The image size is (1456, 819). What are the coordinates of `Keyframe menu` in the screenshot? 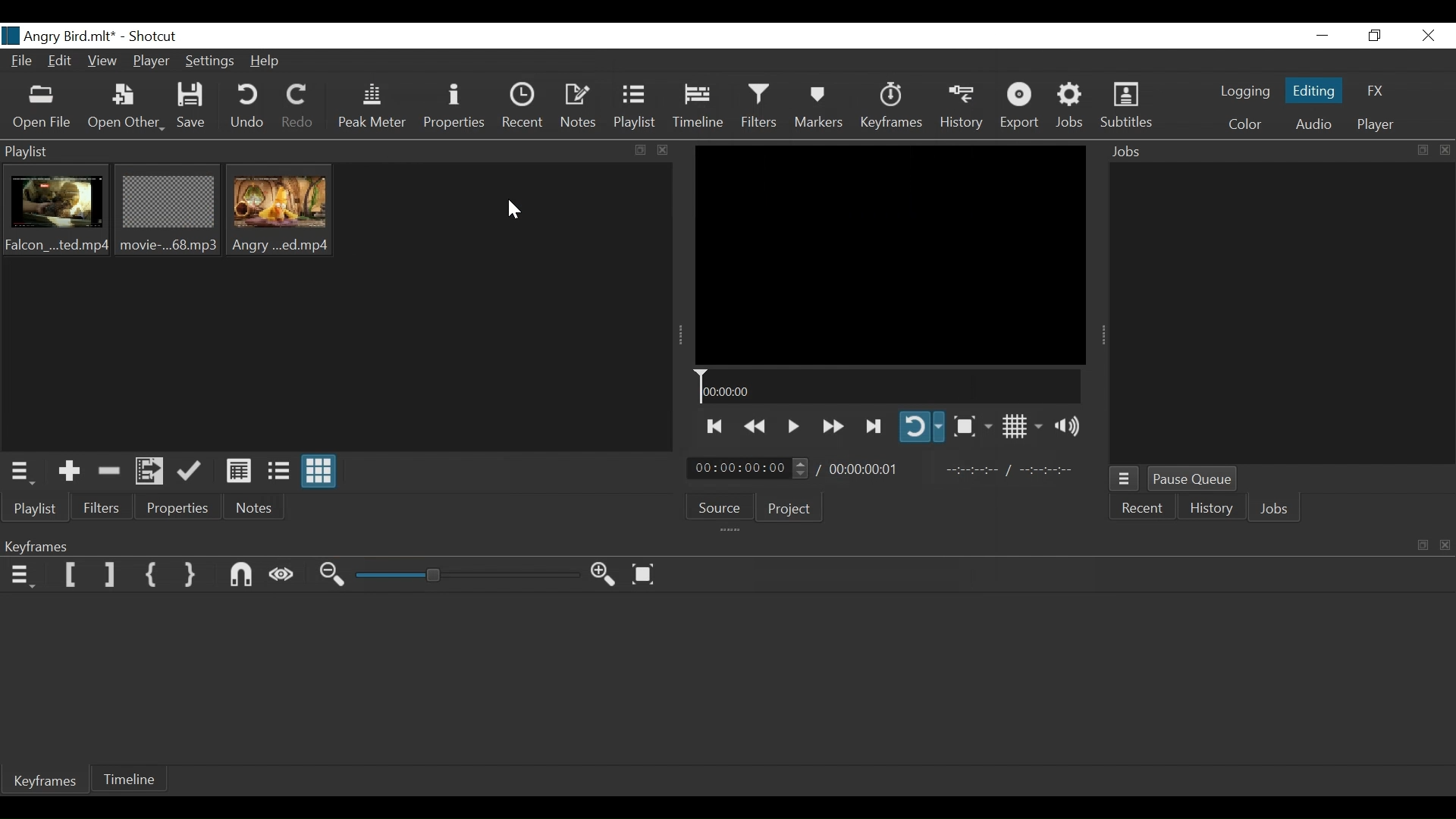 It's located at (20, 577).